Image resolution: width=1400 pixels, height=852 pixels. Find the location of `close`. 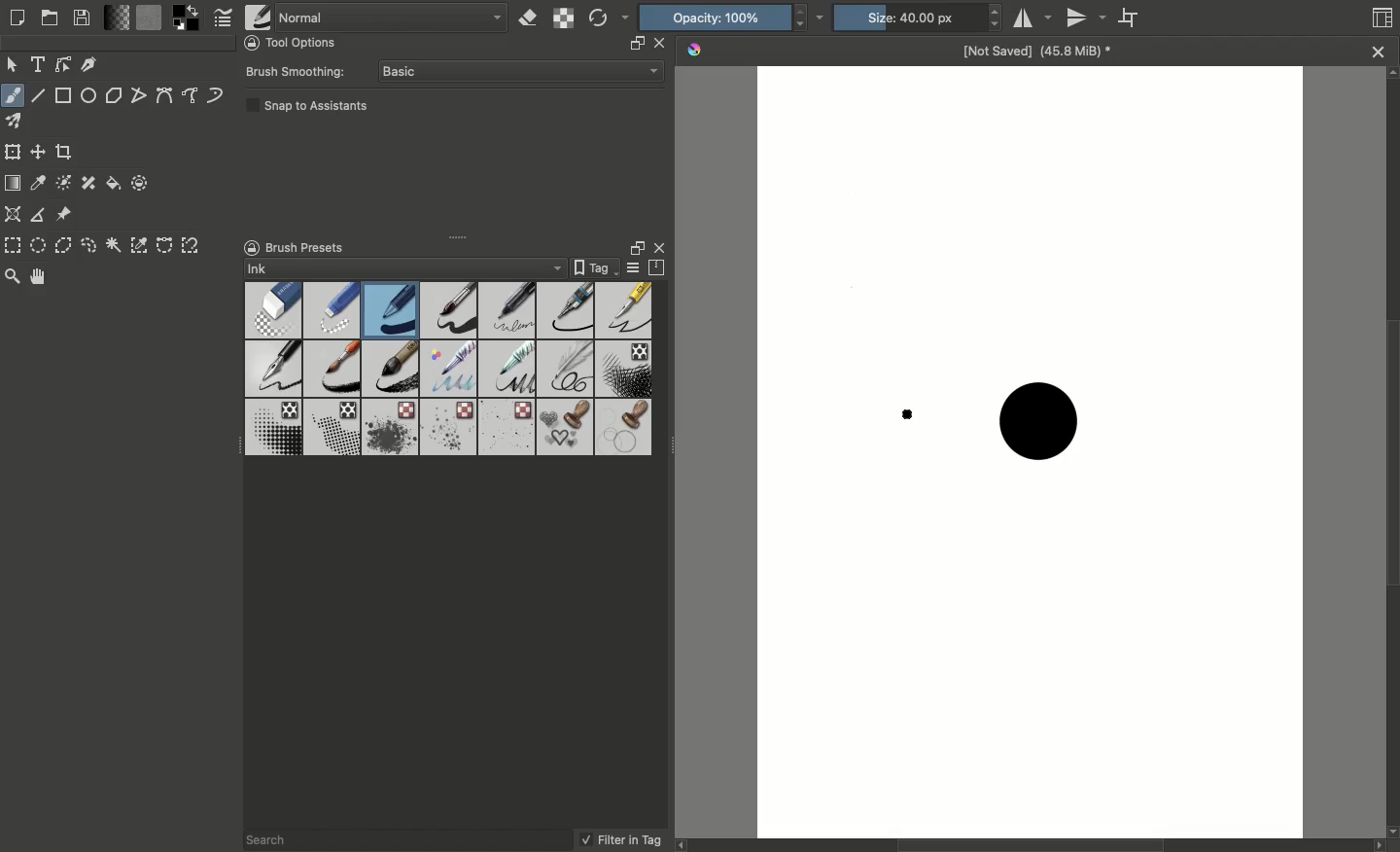

close is located at coordinates (1379, 53).